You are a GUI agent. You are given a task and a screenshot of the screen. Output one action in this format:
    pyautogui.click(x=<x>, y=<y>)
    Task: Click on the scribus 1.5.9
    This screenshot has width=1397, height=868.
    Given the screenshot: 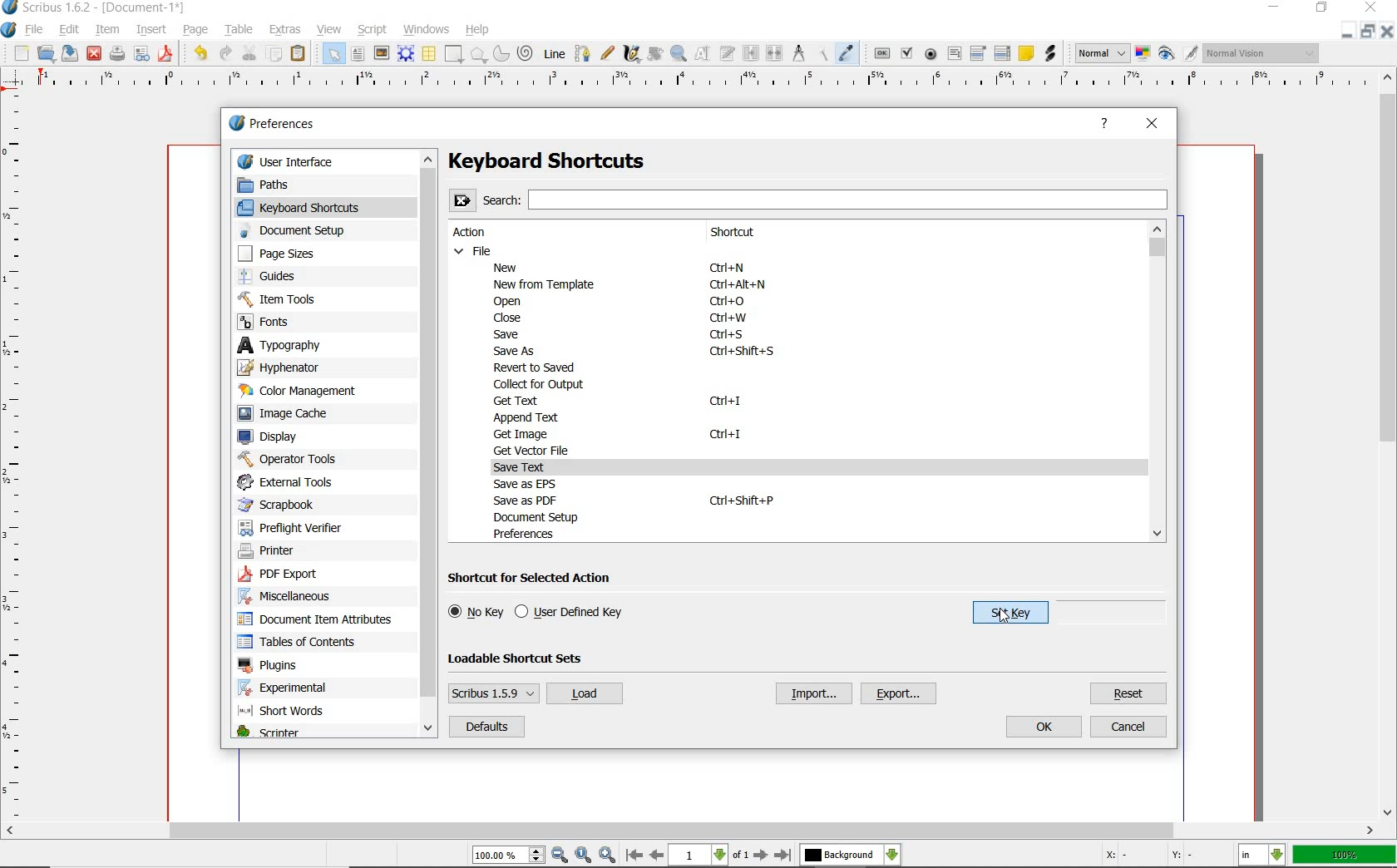 What is the action you would take?
    pyautogui.click(x=492, y=693)
    